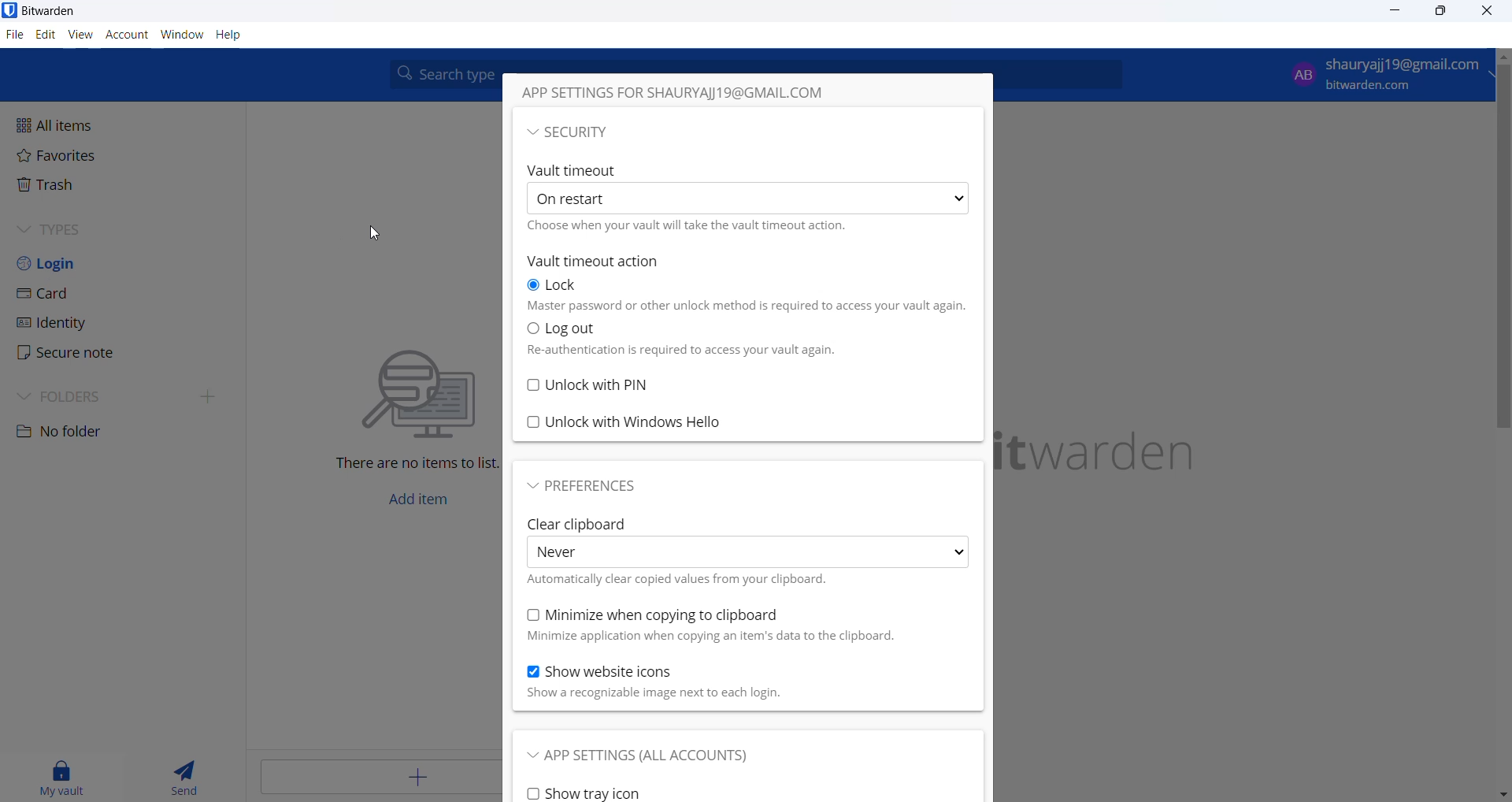 This screenshot has width=1512, height=802. What do you see at coordinates (191, 774) in the screenshot?
I see `send` at bounding box center [191, 774].